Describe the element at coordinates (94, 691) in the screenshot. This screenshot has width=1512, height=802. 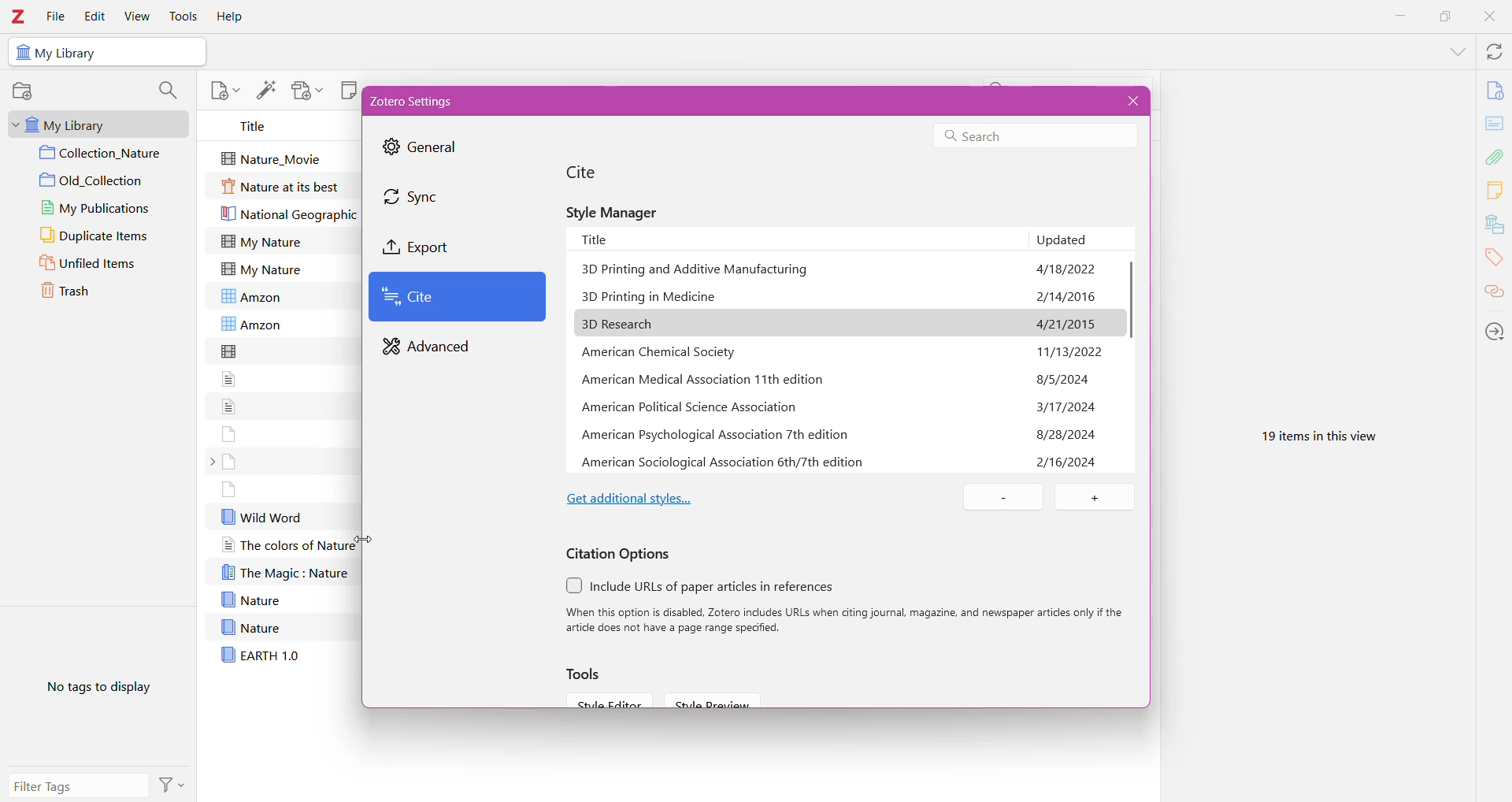
I see `No tags to display` at that location.